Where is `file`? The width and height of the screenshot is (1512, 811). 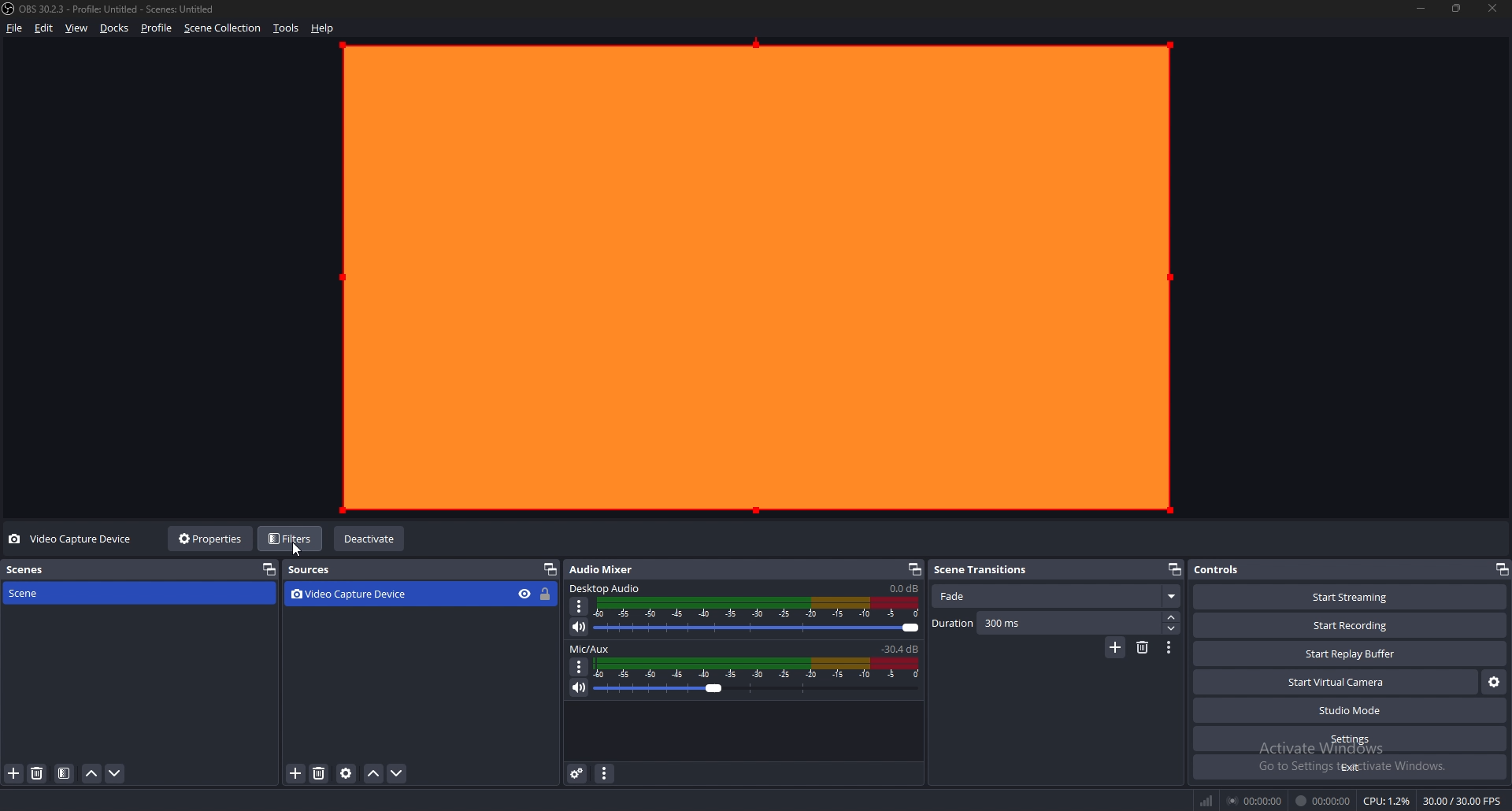 file is located at coordinates (13, 28).